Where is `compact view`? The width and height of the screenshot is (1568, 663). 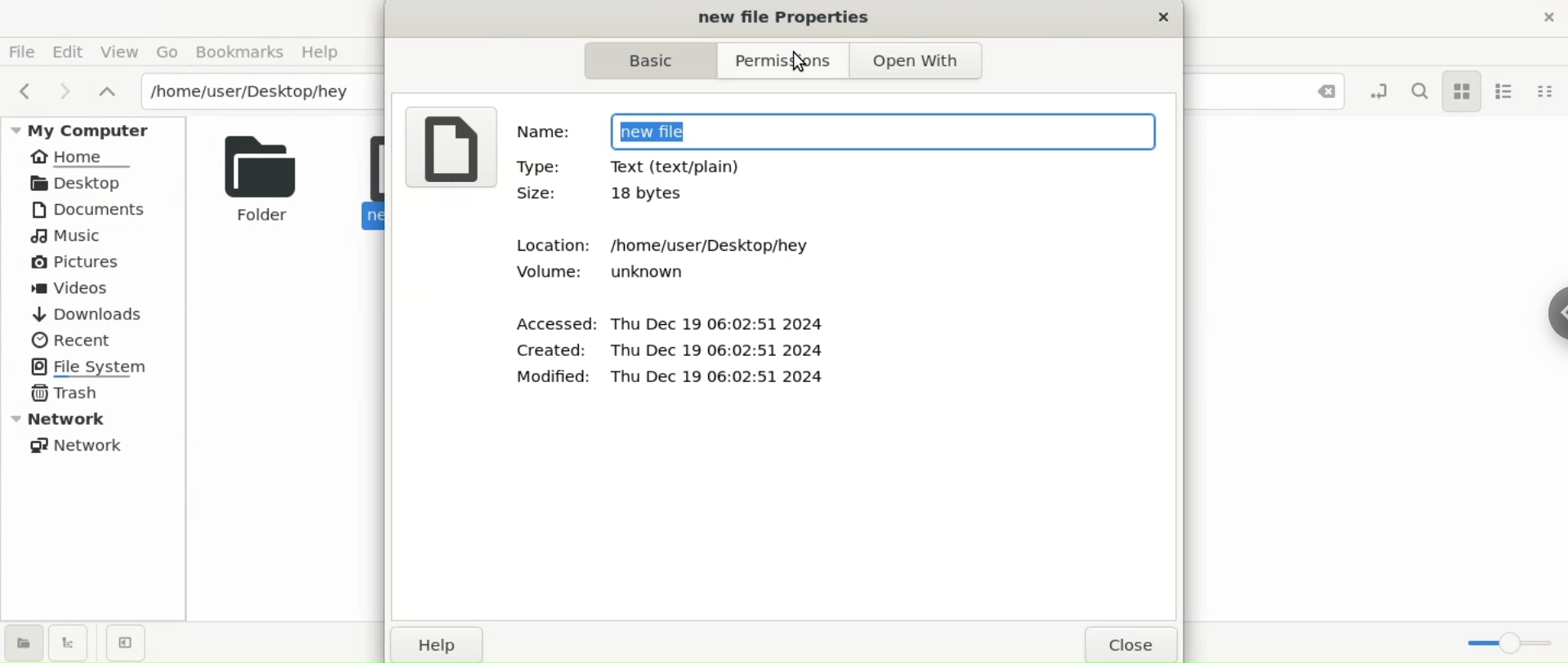 compact view is located at coordinates (1547, 91).